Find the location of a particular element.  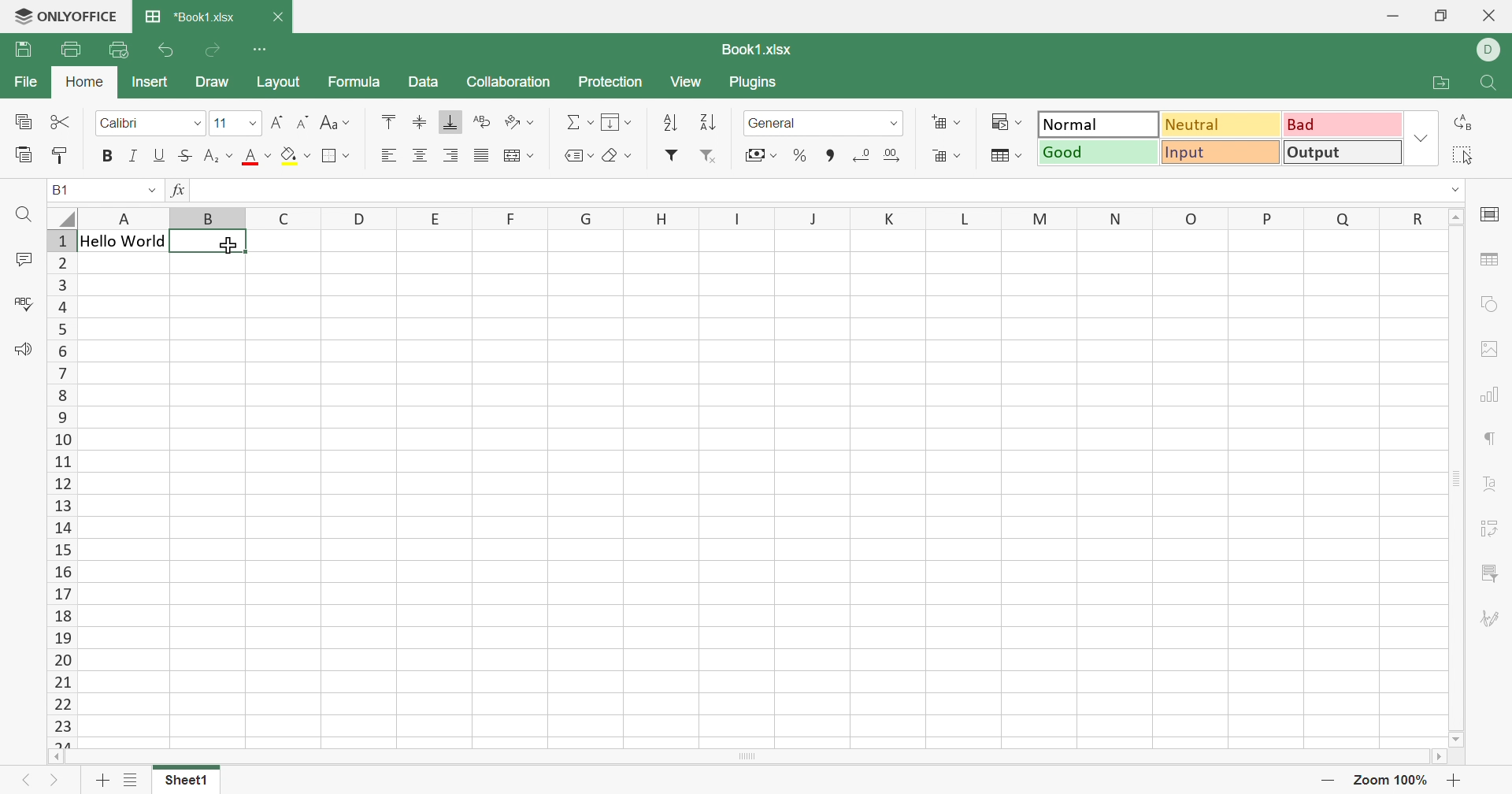

Format as table template is located at coordinates (1009, 155).